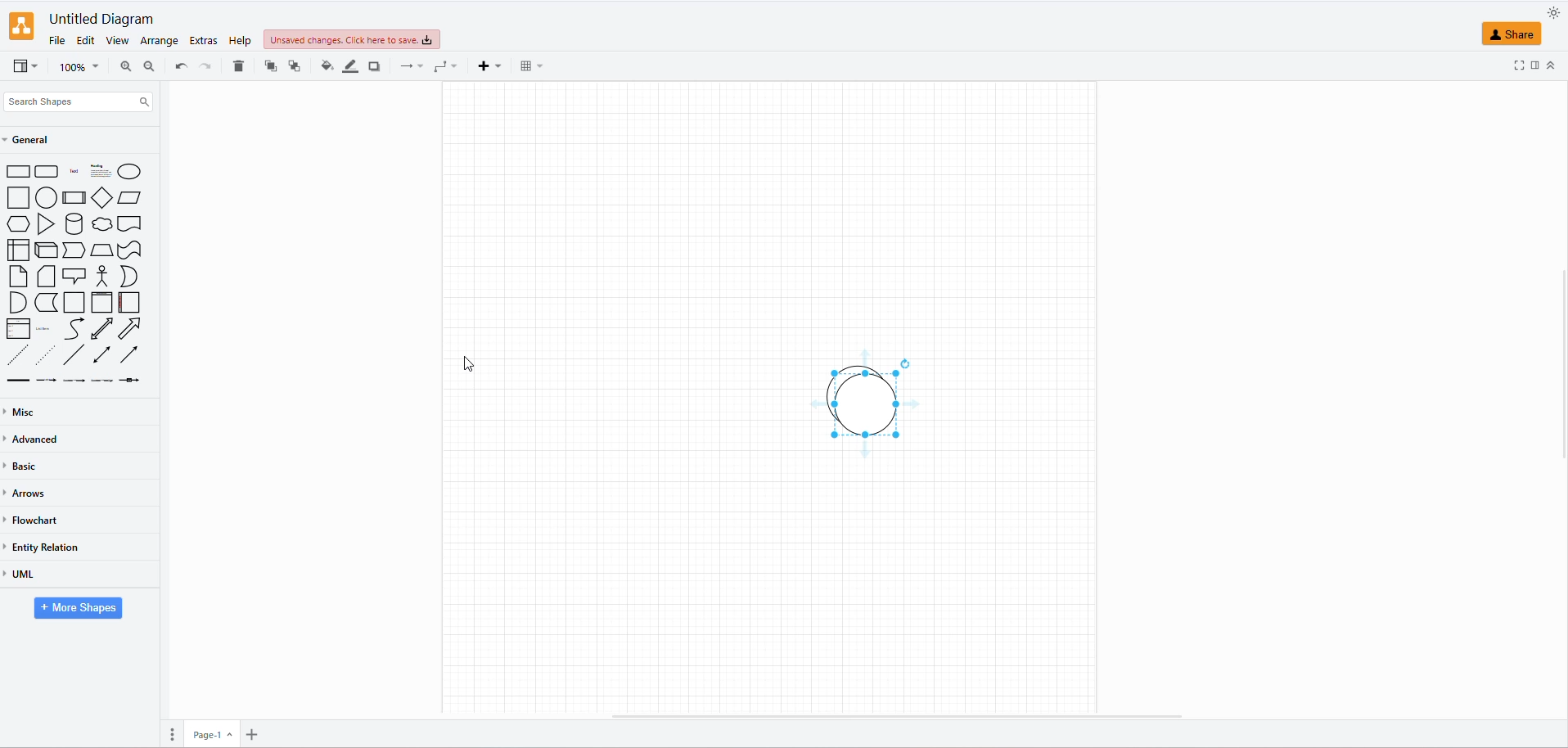  What do you see at coordinates (133, 382) in the screenshot?
I see `arrow with fields` at bounding box center [133, 382].